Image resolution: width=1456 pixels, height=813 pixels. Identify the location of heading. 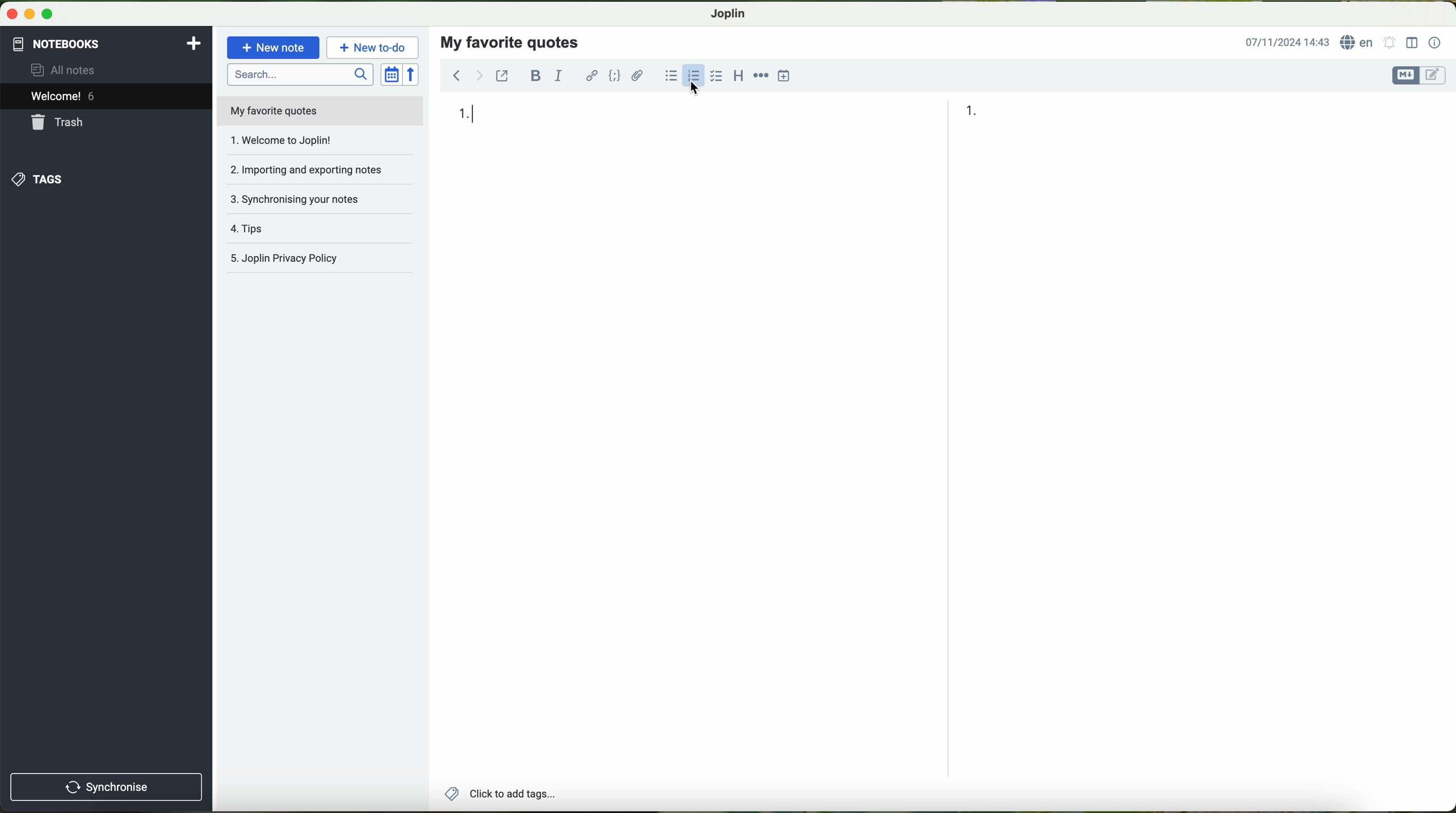
(740, 77).